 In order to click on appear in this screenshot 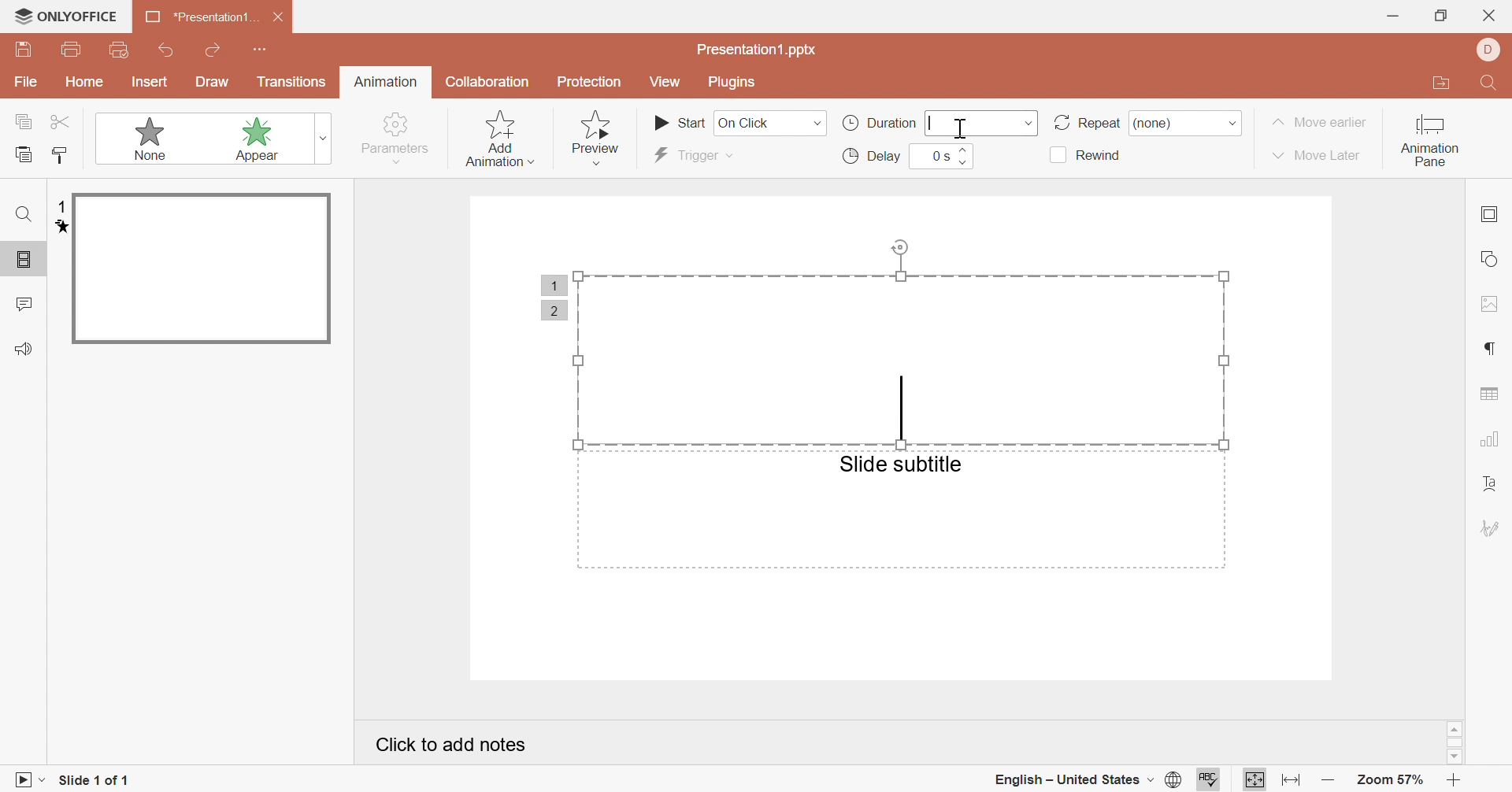, I will do `click(247, 139)`.